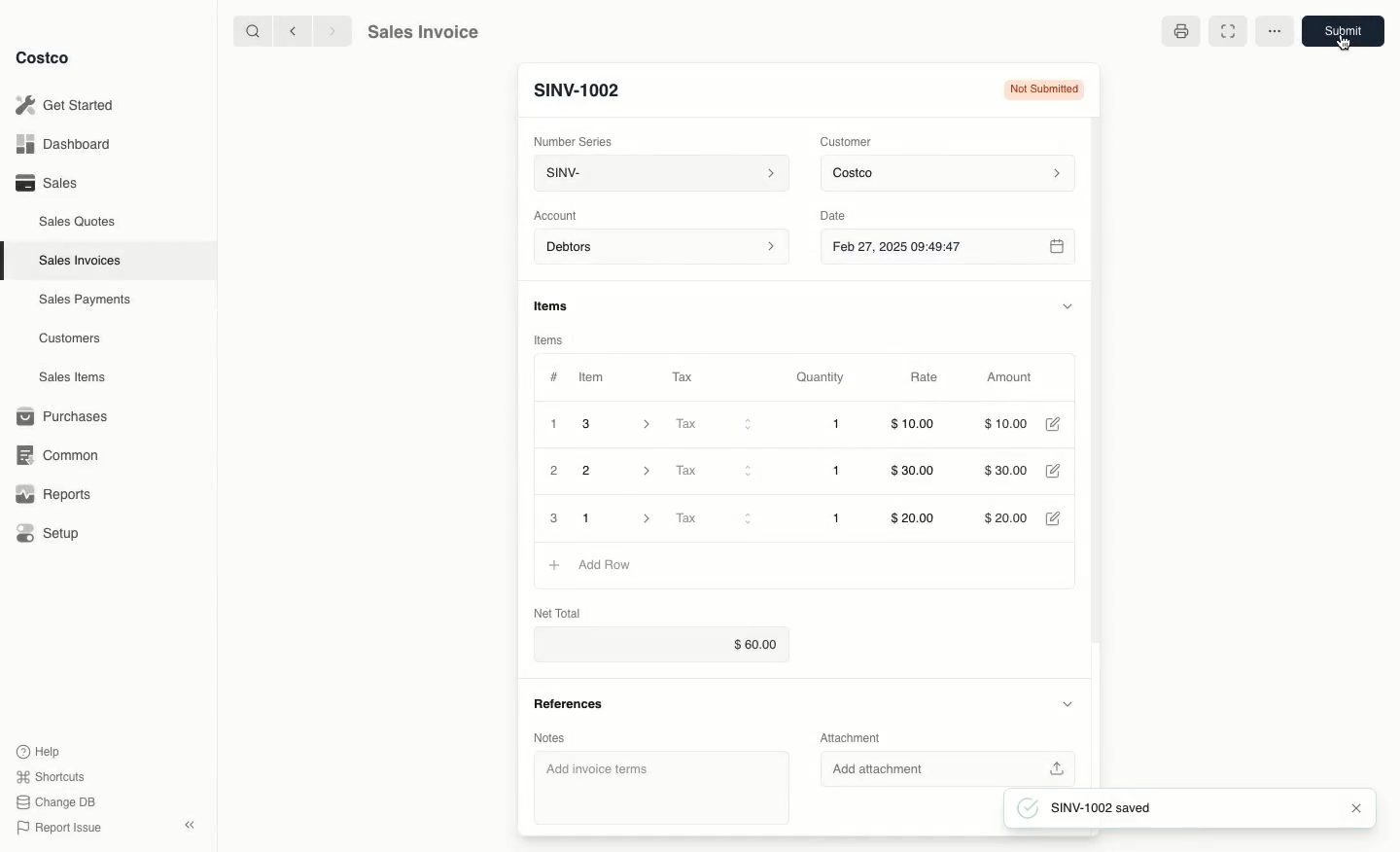 This screenshot has width=1400, height=852. I want to click on Costco, so click(951, 174).